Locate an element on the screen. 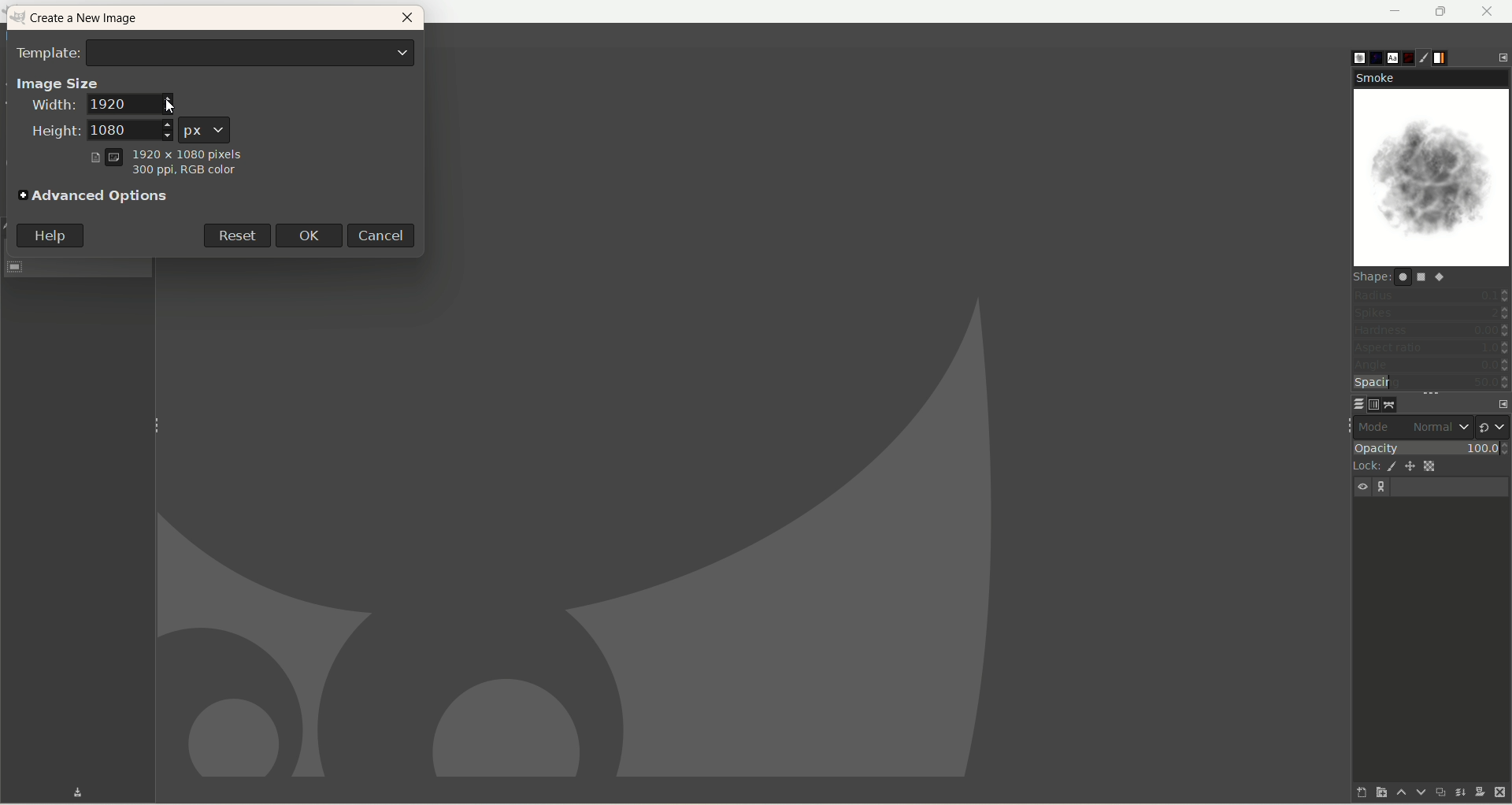  advanced options is located at coordinates (95, 197).